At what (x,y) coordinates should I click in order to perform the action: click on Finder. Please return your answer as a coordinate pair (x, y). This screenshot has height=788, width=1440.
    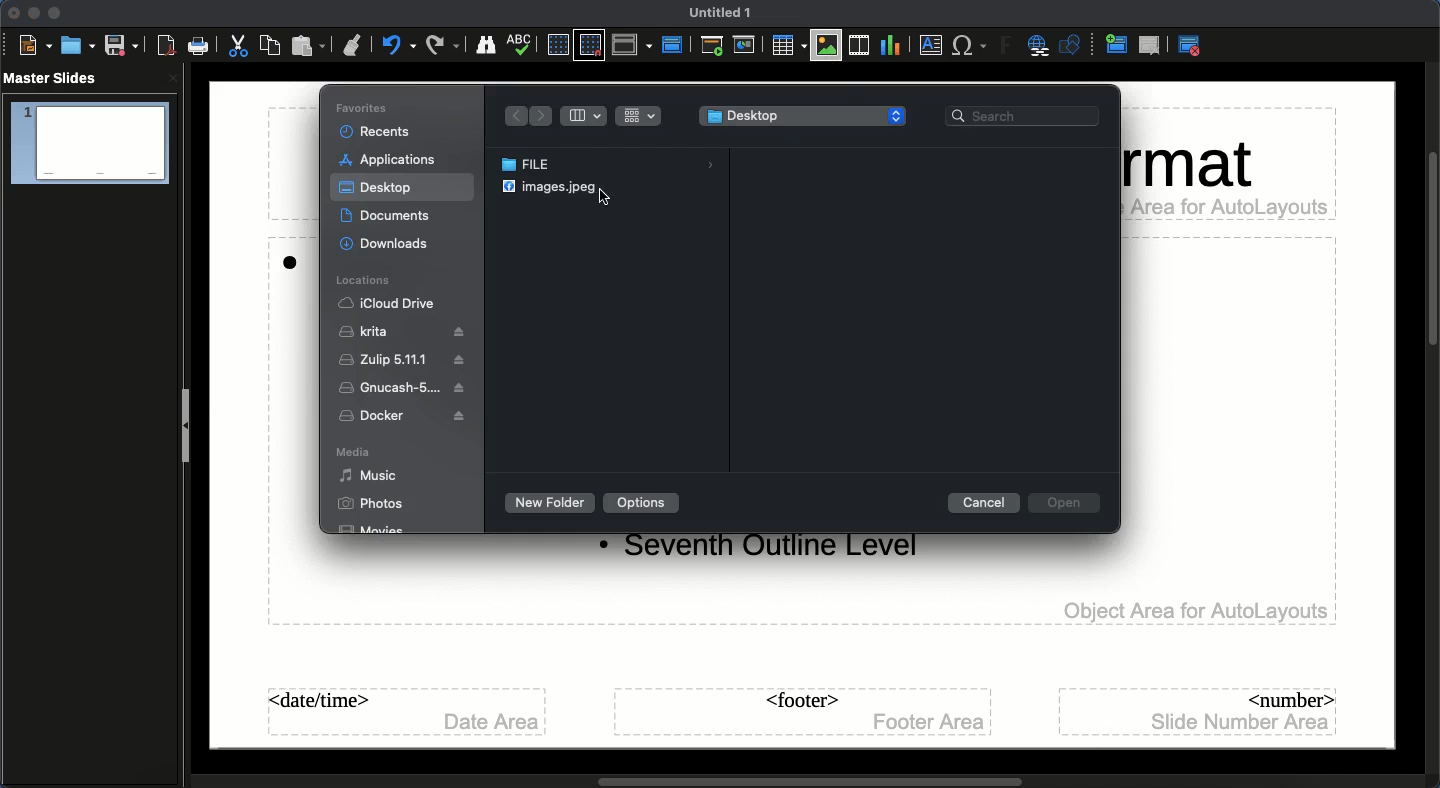
    Looking at the image, I should click on (485, 44).